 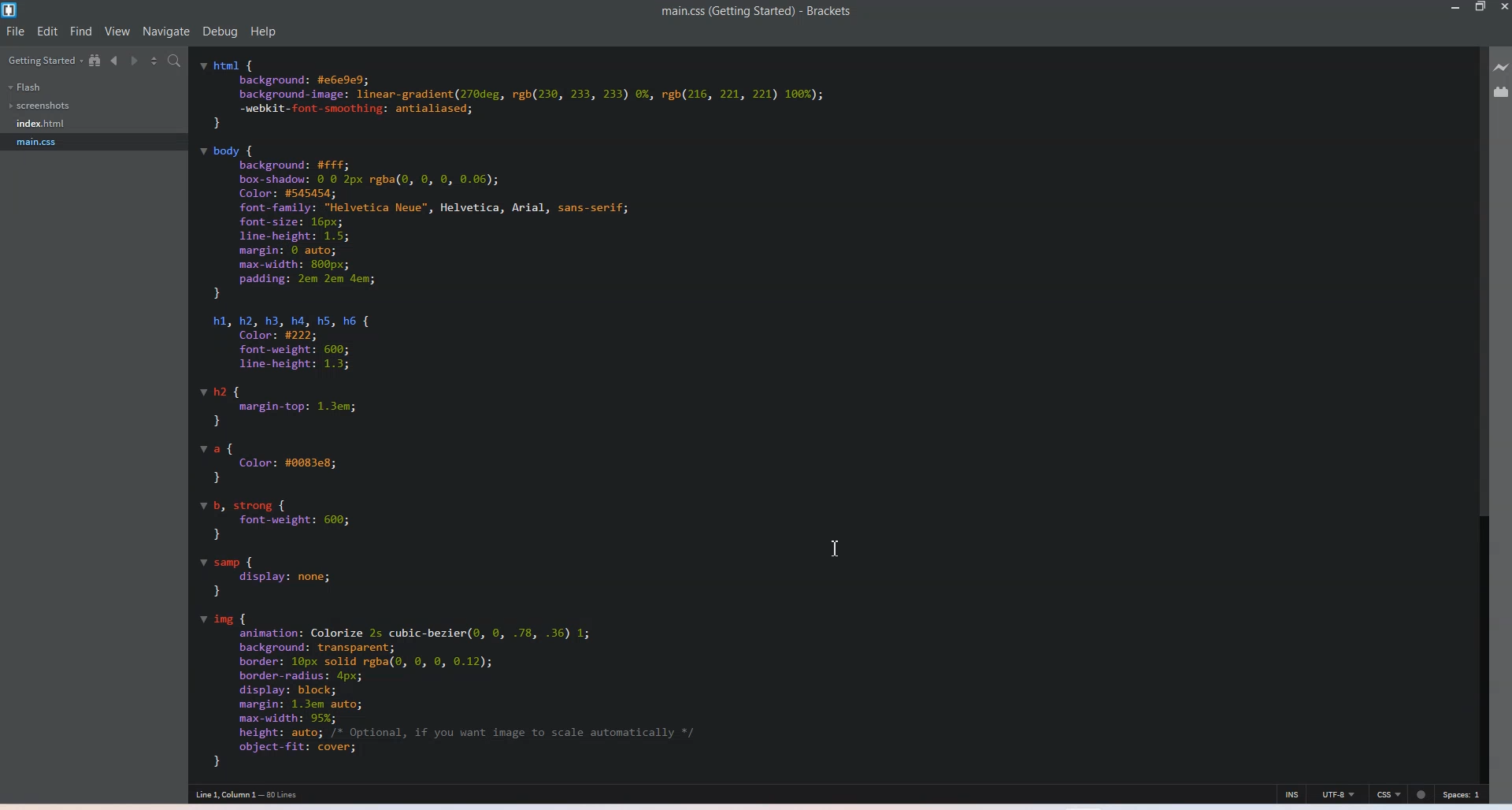 What do you see at coordinates (117, 31) in the screenshot?
I see `View` at bounding box center [117, 31].